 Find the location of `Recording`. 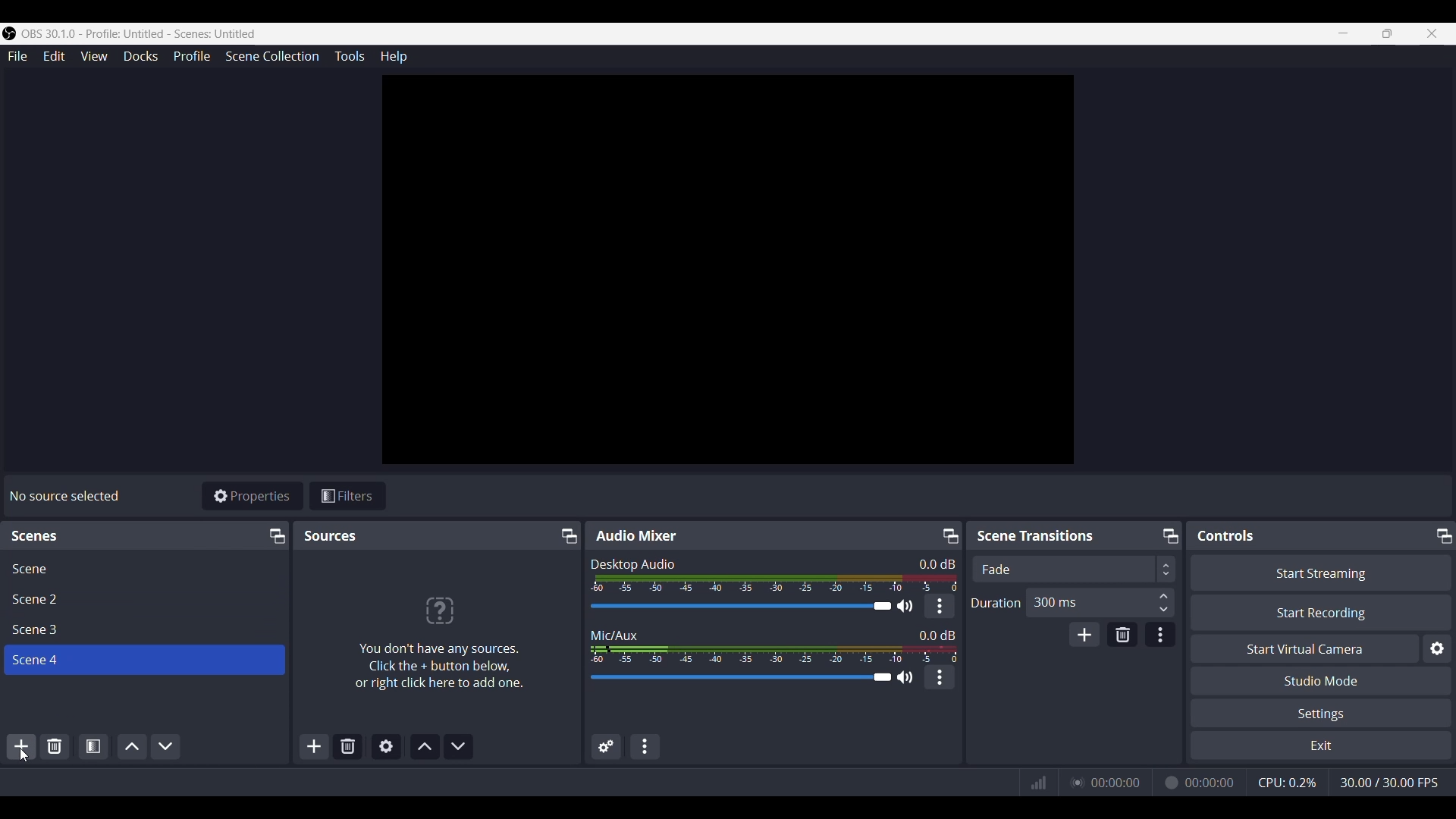

Recording is located at coordinates (1170, 781).